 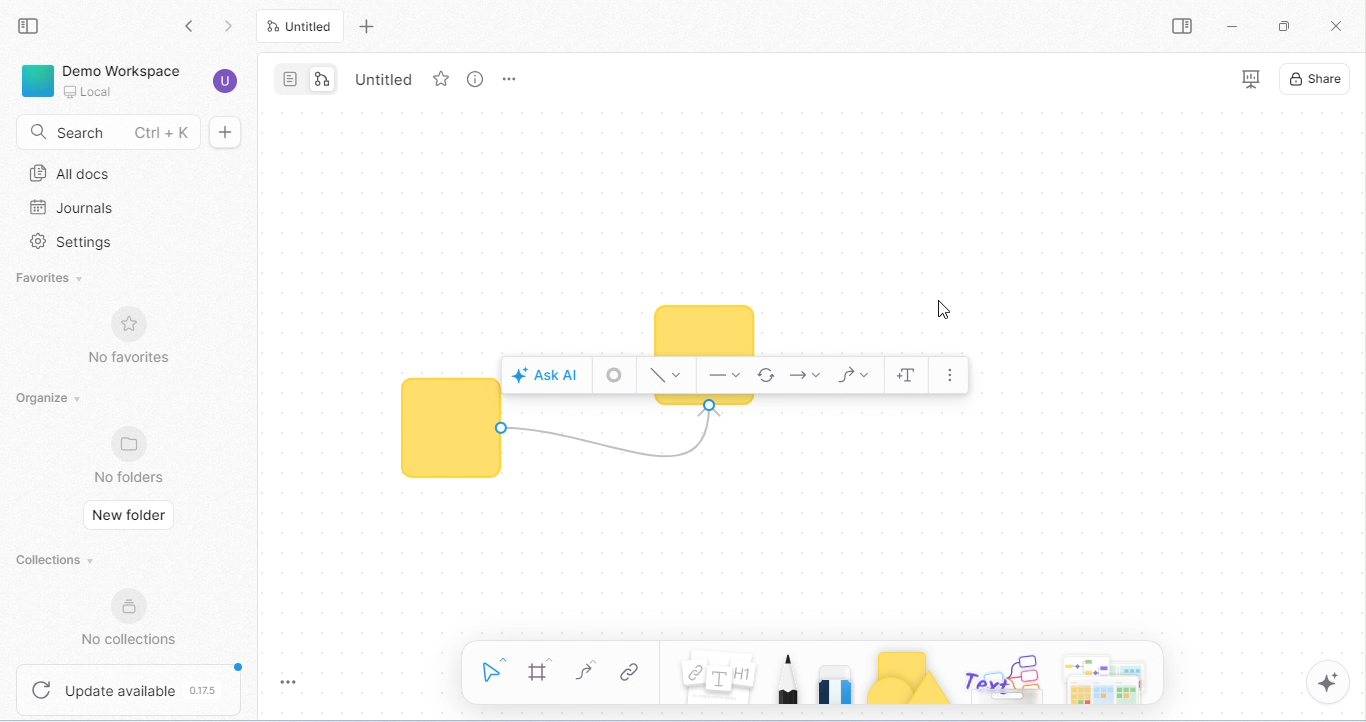 What do you see at coordinates (47, 281) in the screenshot?
I see `favorites` at bounding box center [47, 281].